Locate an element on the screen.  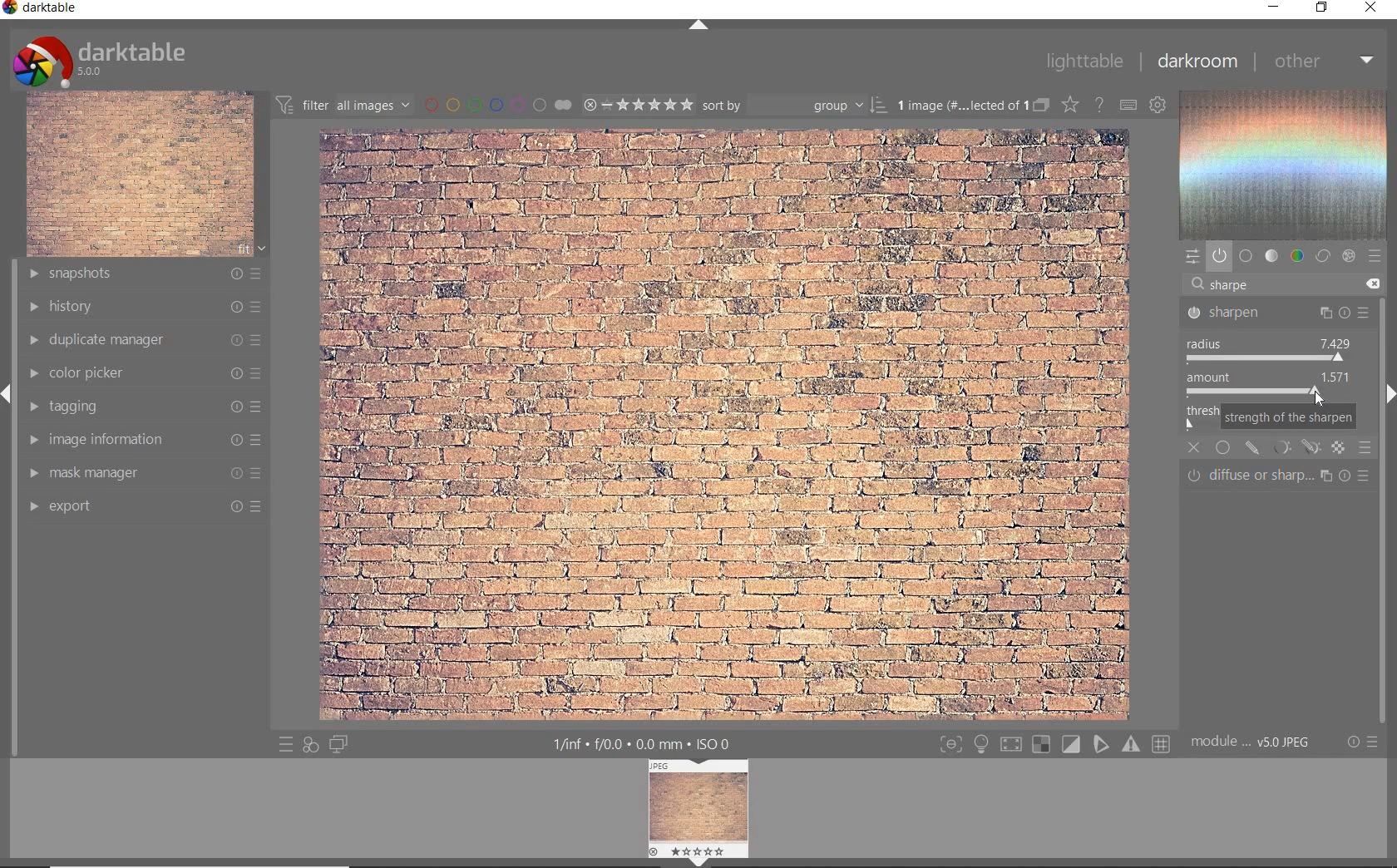
other is located at coordinates (1325, 62).